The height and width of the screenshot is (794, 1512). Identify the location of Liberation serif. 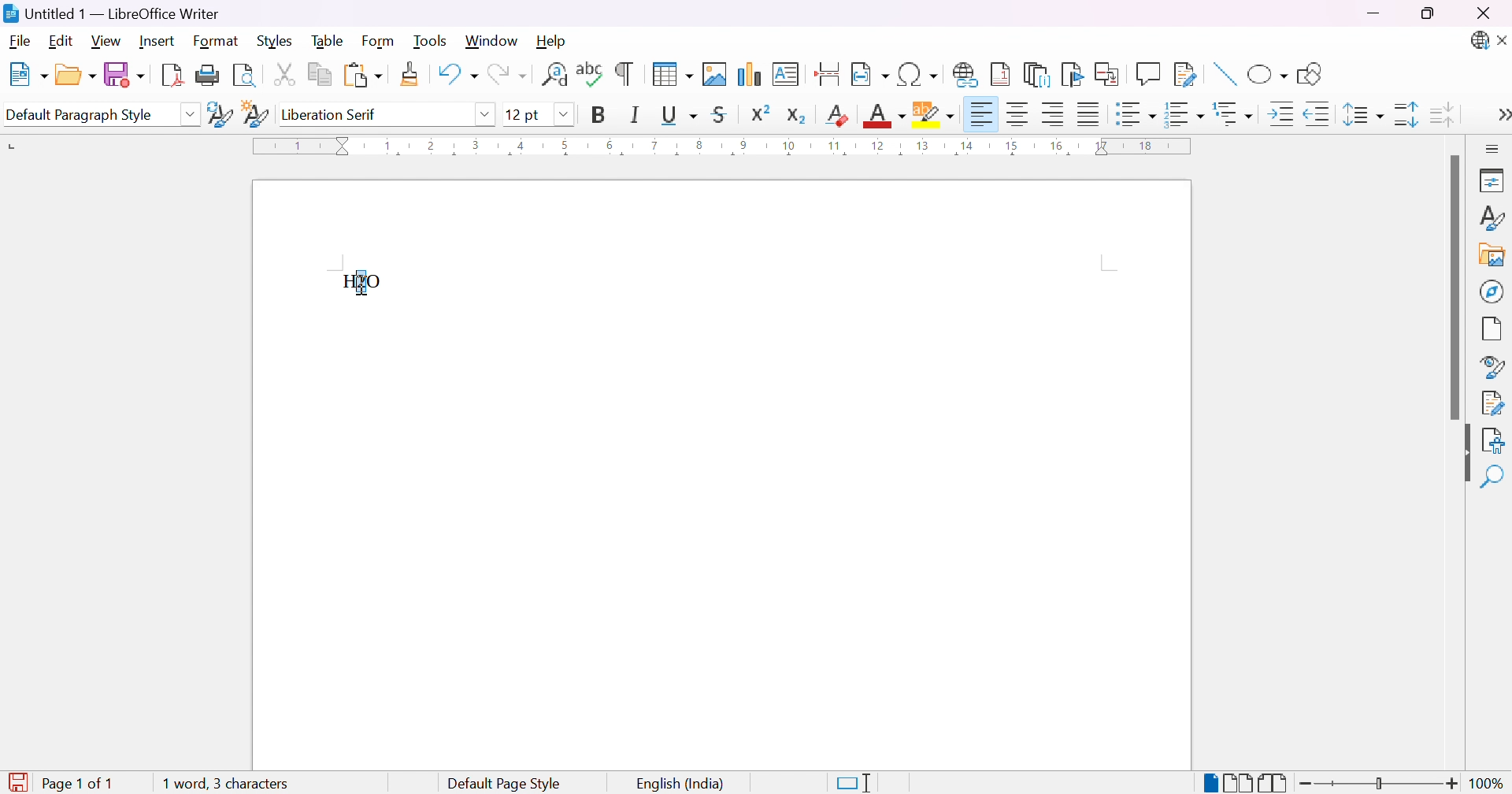
(332, 114).